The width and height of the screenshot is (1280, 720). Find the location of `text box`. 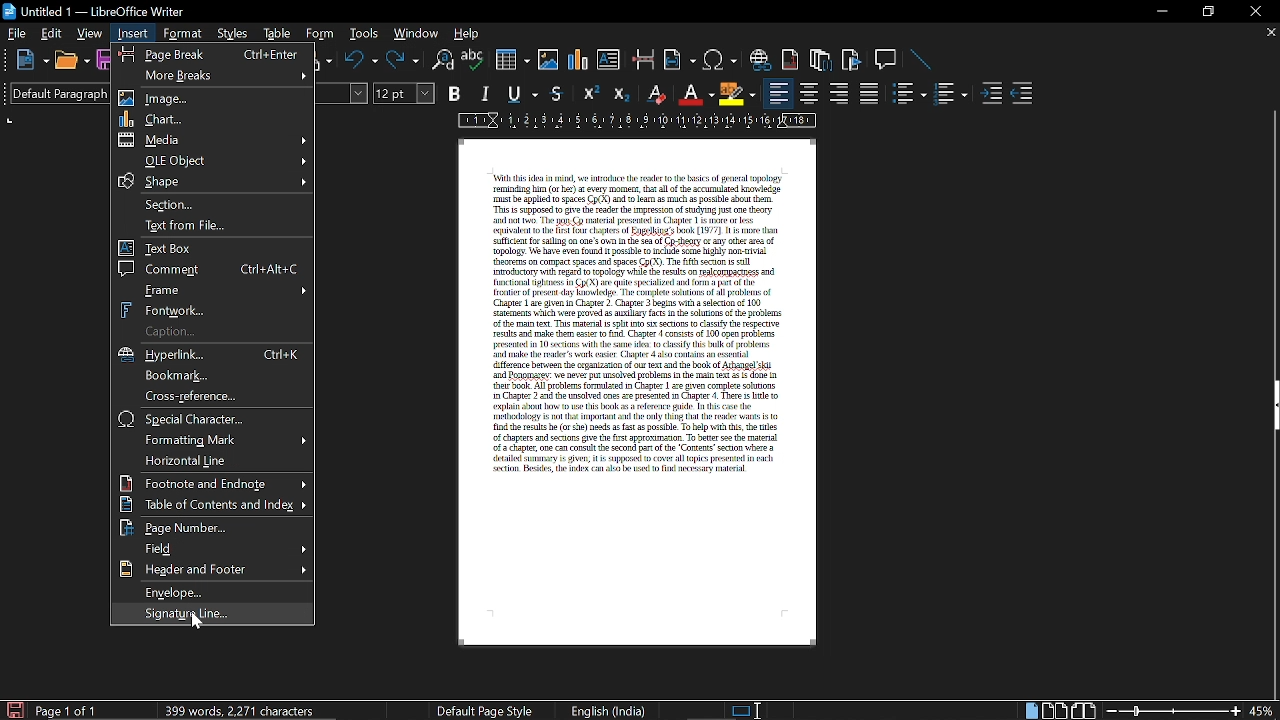

text box is located at coordinates (212, 248).